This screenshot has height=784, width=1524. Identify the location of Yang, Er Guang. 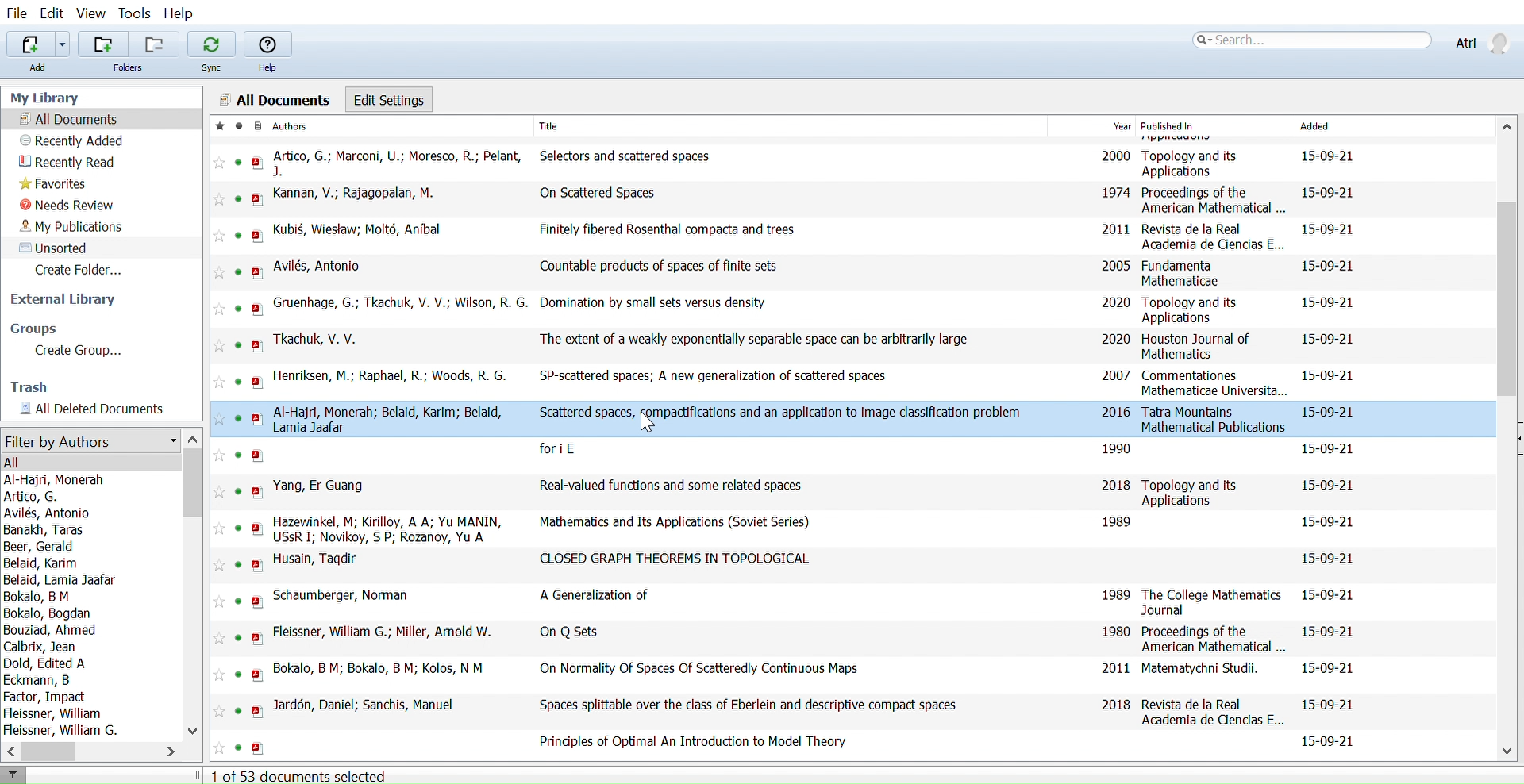
(320, 485).